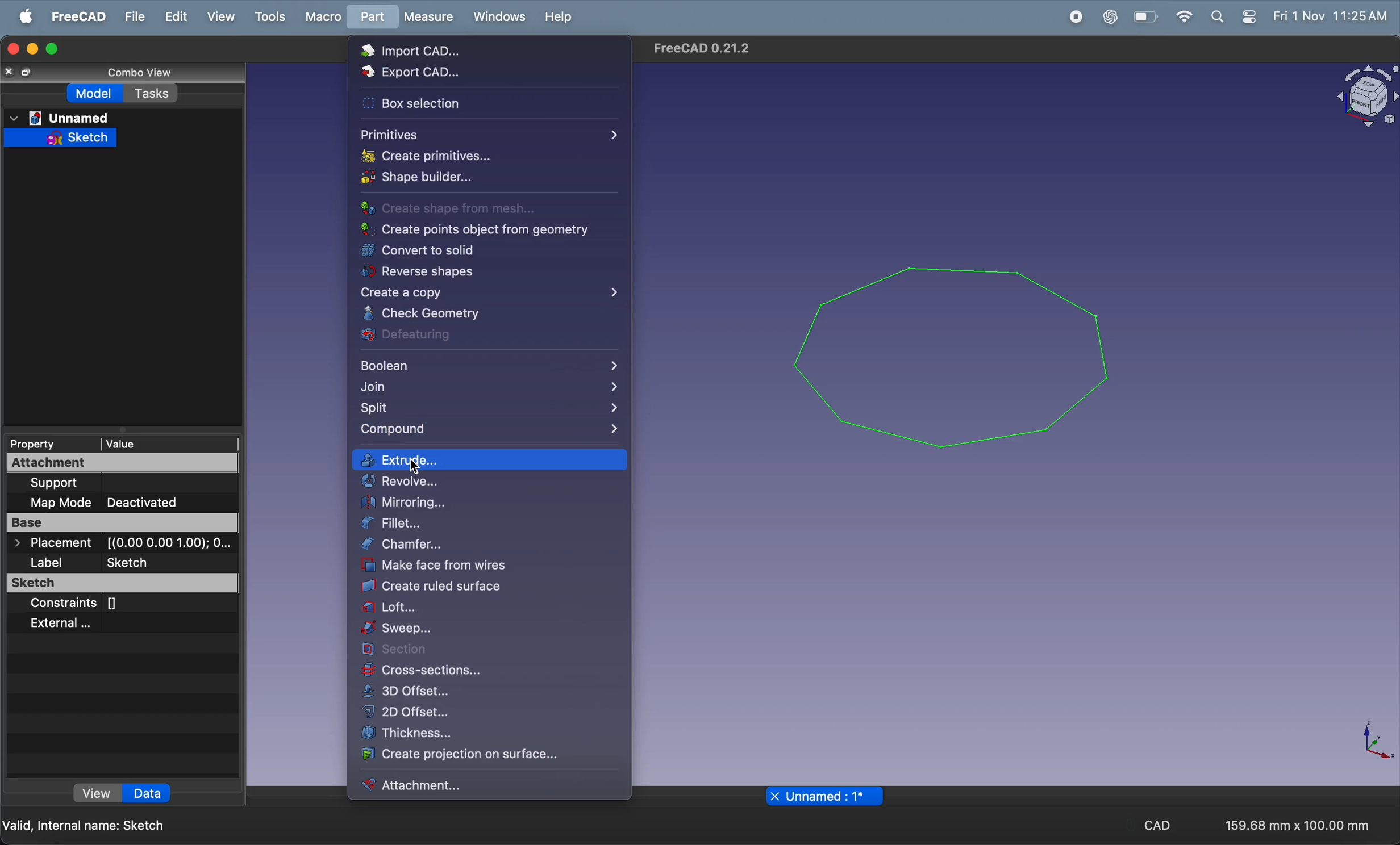 This screenshot has width=1400, height=845. What do you see at coordinates (476, 693) in the screenshot?
I see `3D offset` at bounding box center [476, 693].